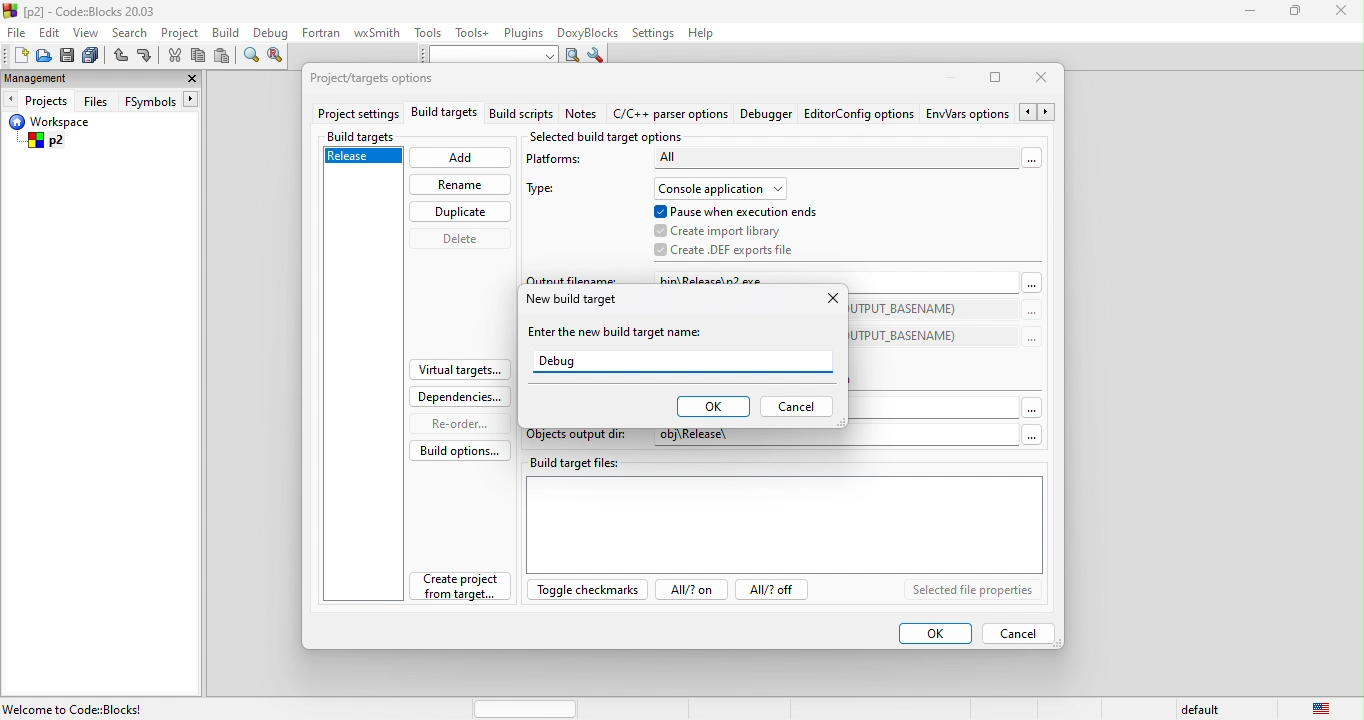 This screenshot has width=1364, height=720. I want to click on text to search, so click(483, 55).